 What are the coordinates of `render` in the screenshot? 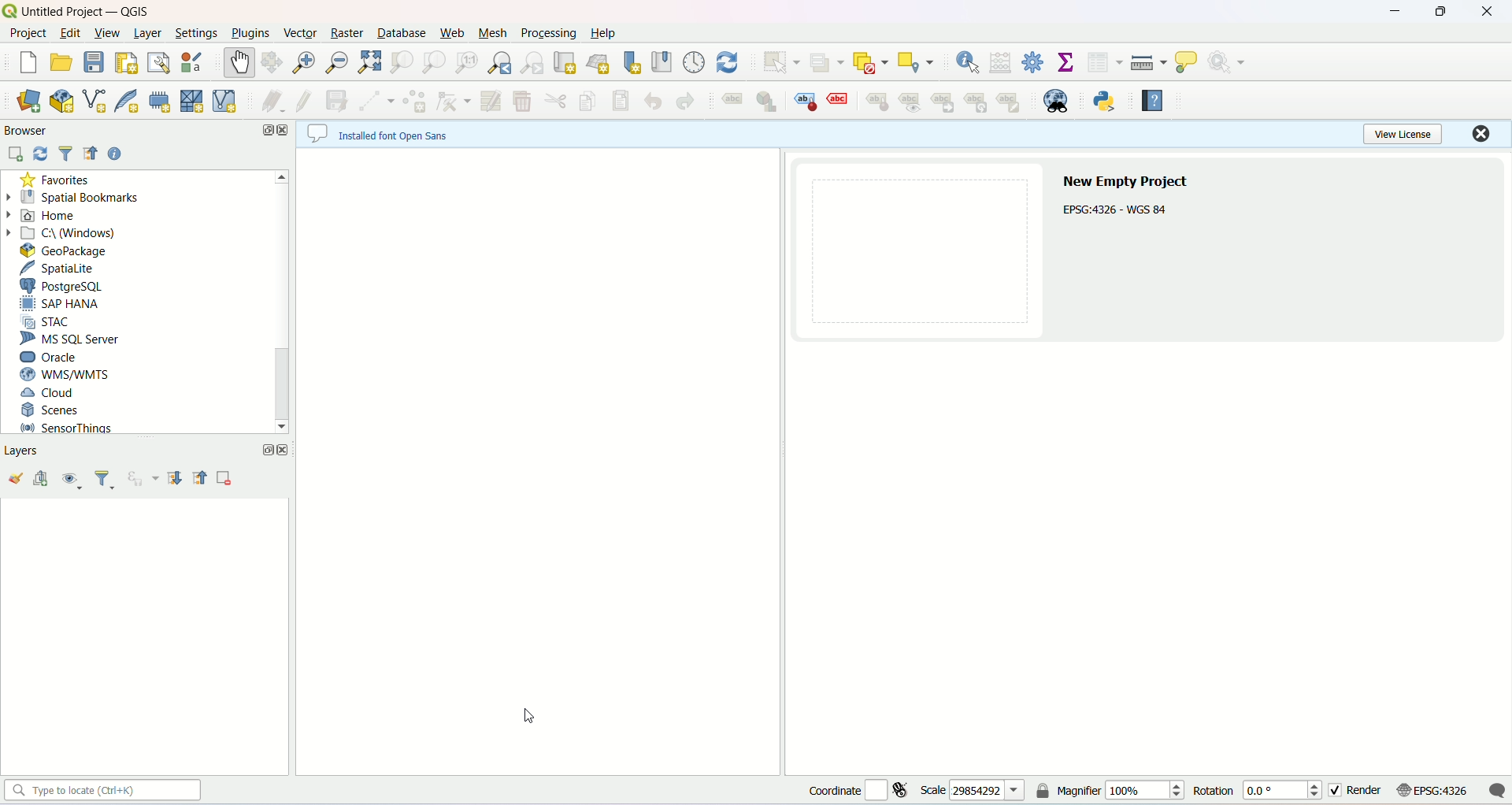 It's located at (1358, 793).